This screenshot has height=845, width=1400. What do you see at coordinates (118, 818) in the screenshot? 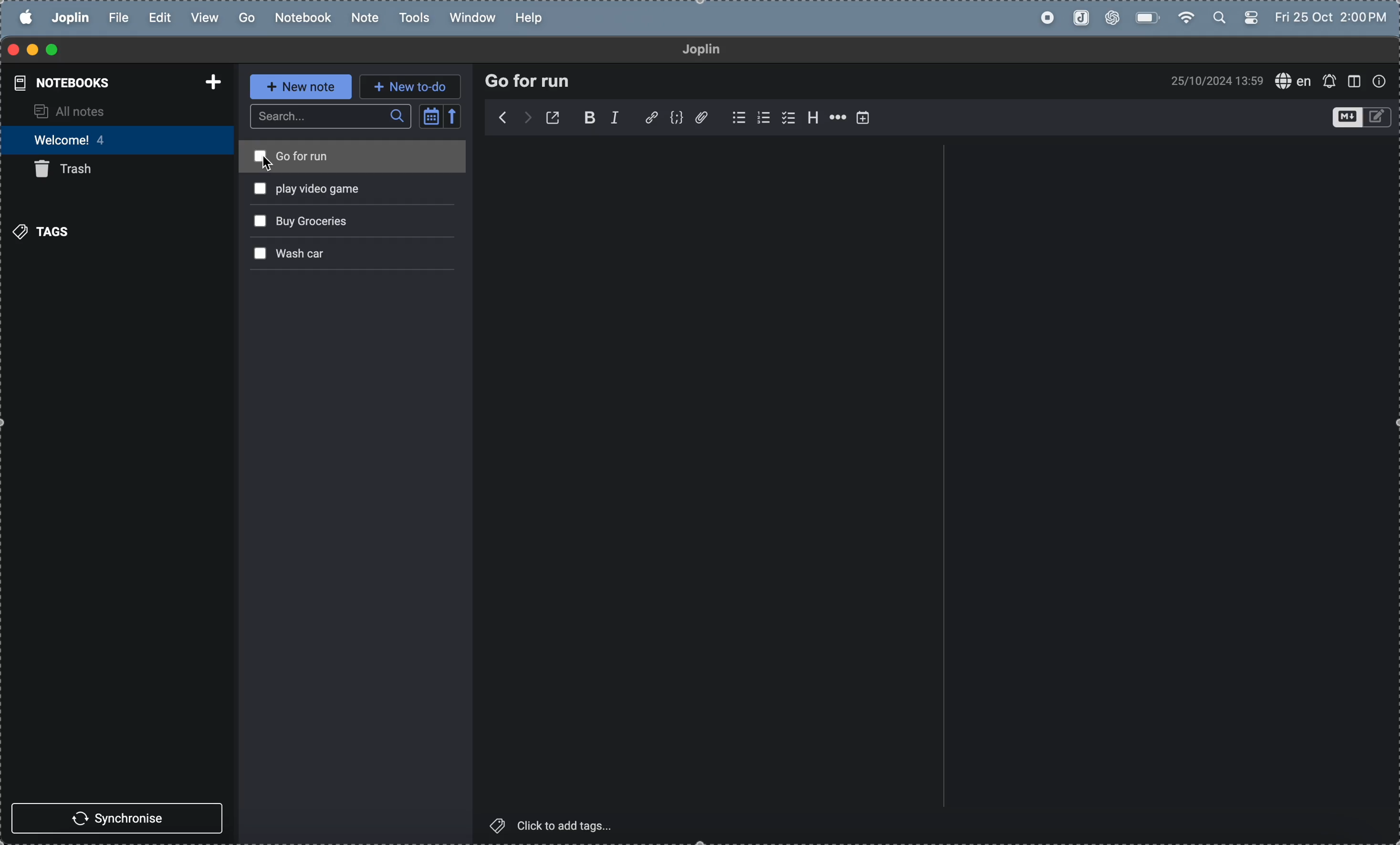
I see `synchronise` at bounding box center [118, 818].